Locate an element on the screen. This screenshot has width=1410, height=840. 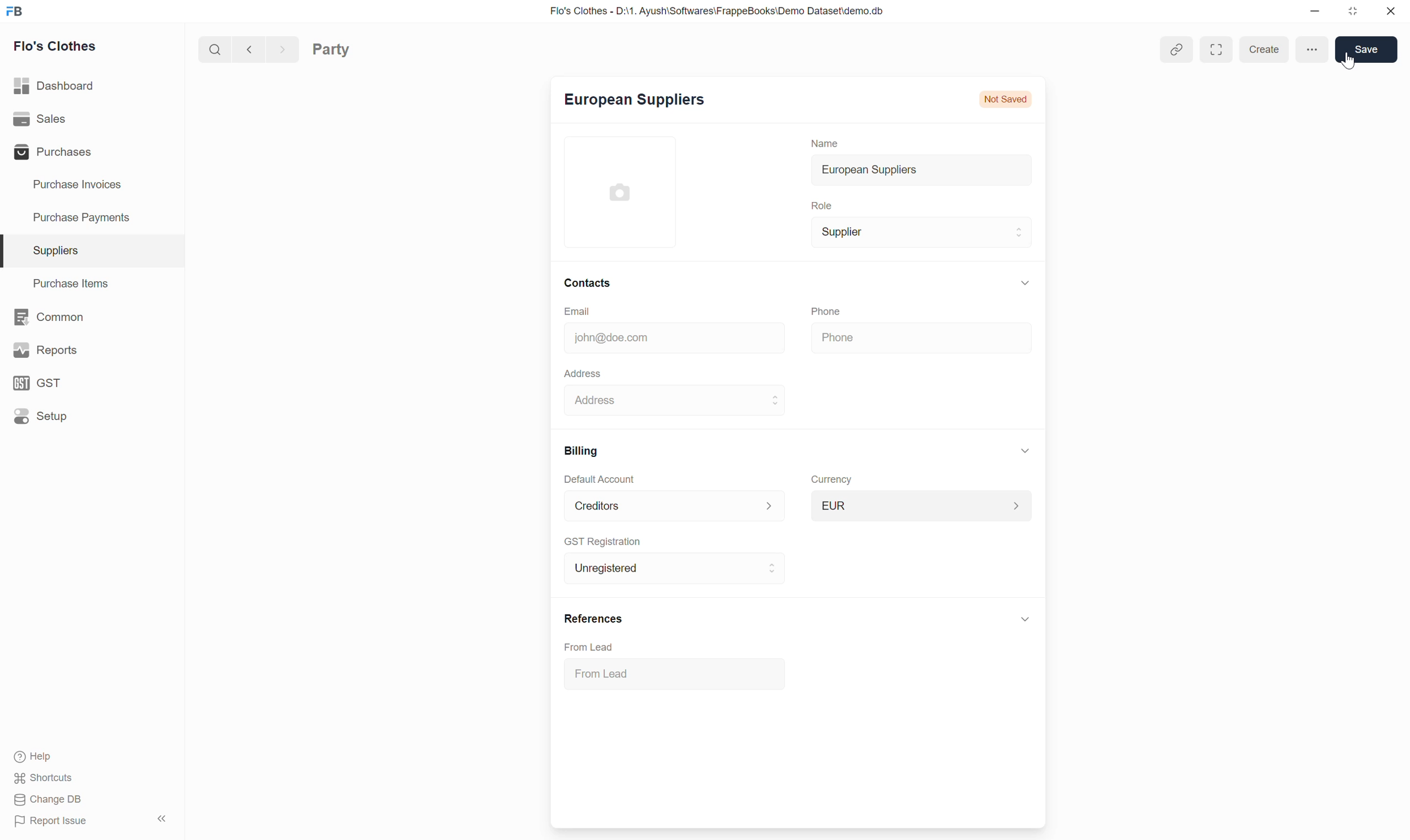
go back is located at coordinates (245, 48).